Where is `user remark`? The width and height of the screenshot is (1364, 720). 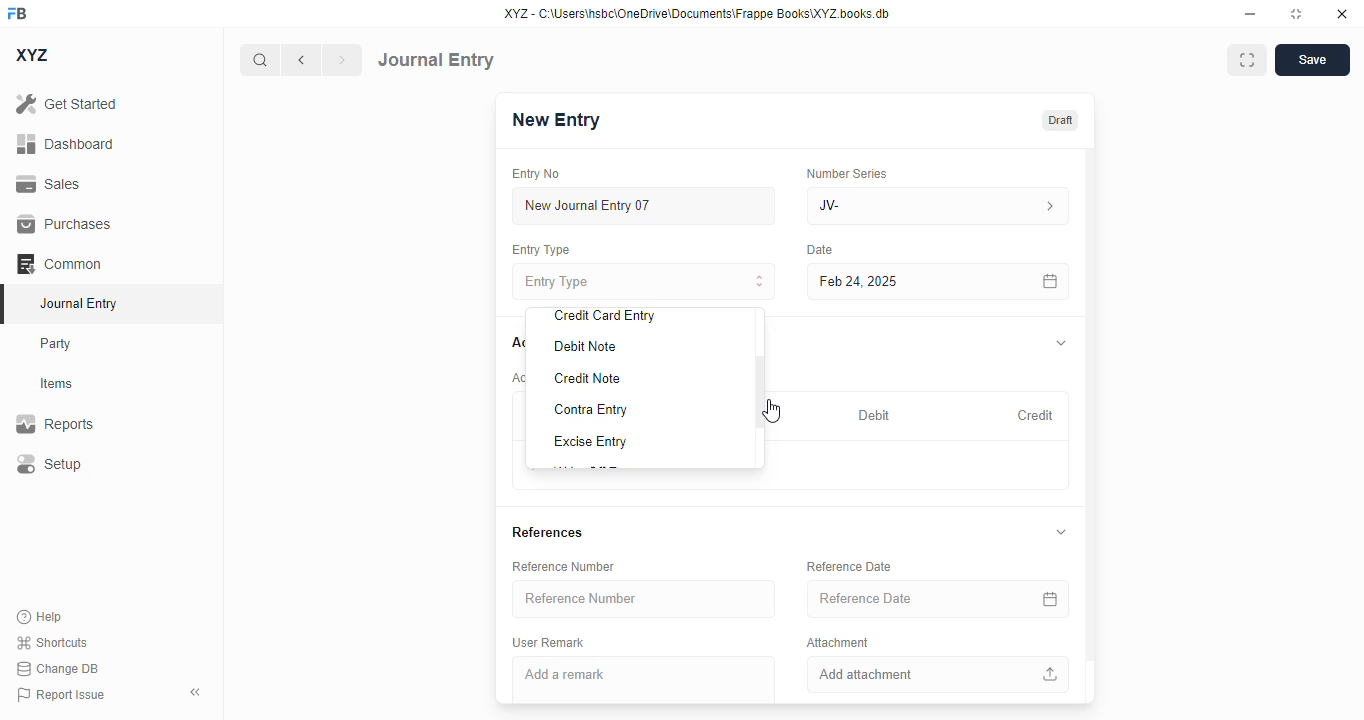 user remark is located at coordinates (550, 642).